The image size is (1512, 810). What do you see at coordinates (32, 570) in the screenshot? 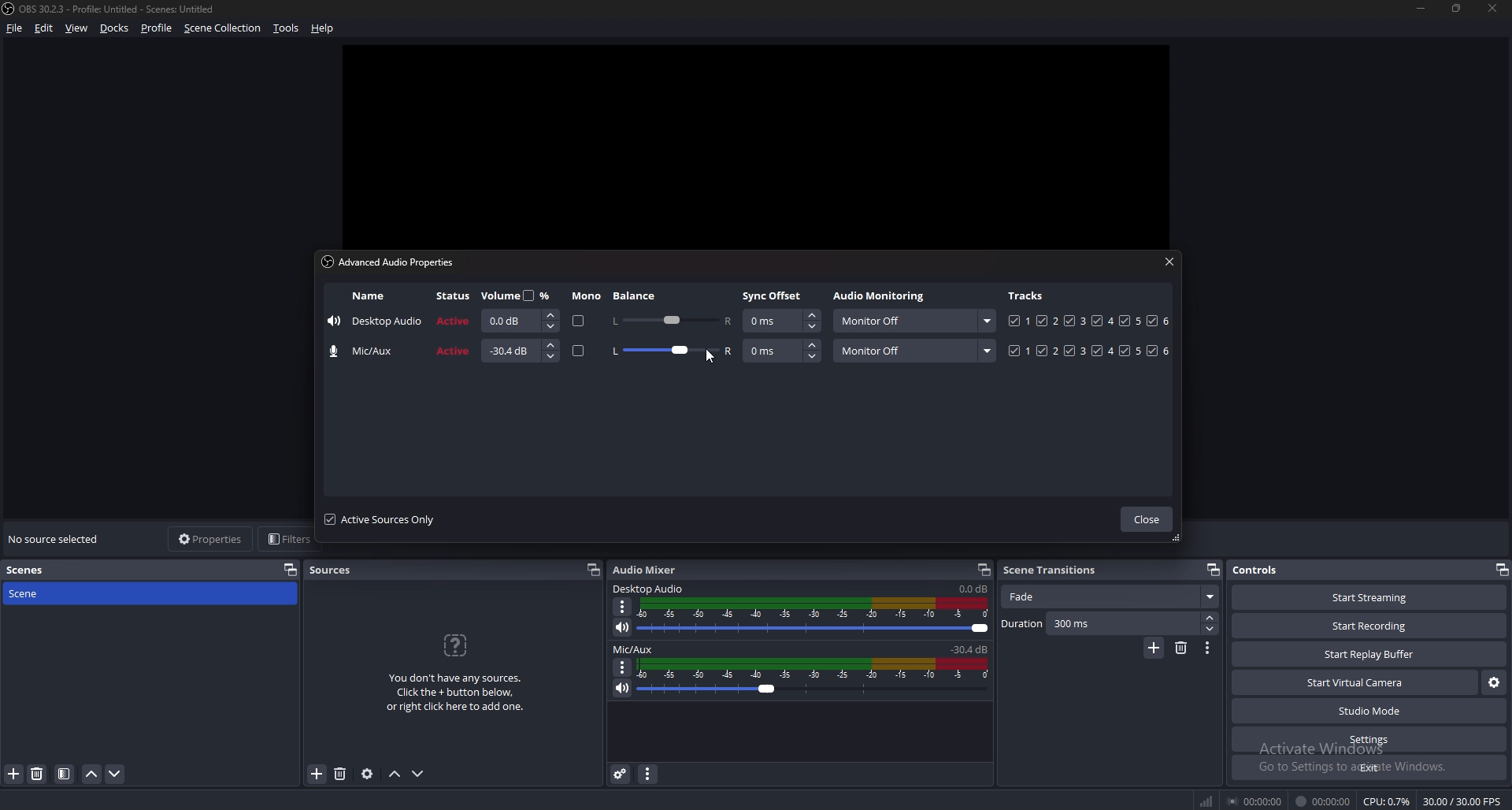
I see `scenes` at bounding box center [32, 570].